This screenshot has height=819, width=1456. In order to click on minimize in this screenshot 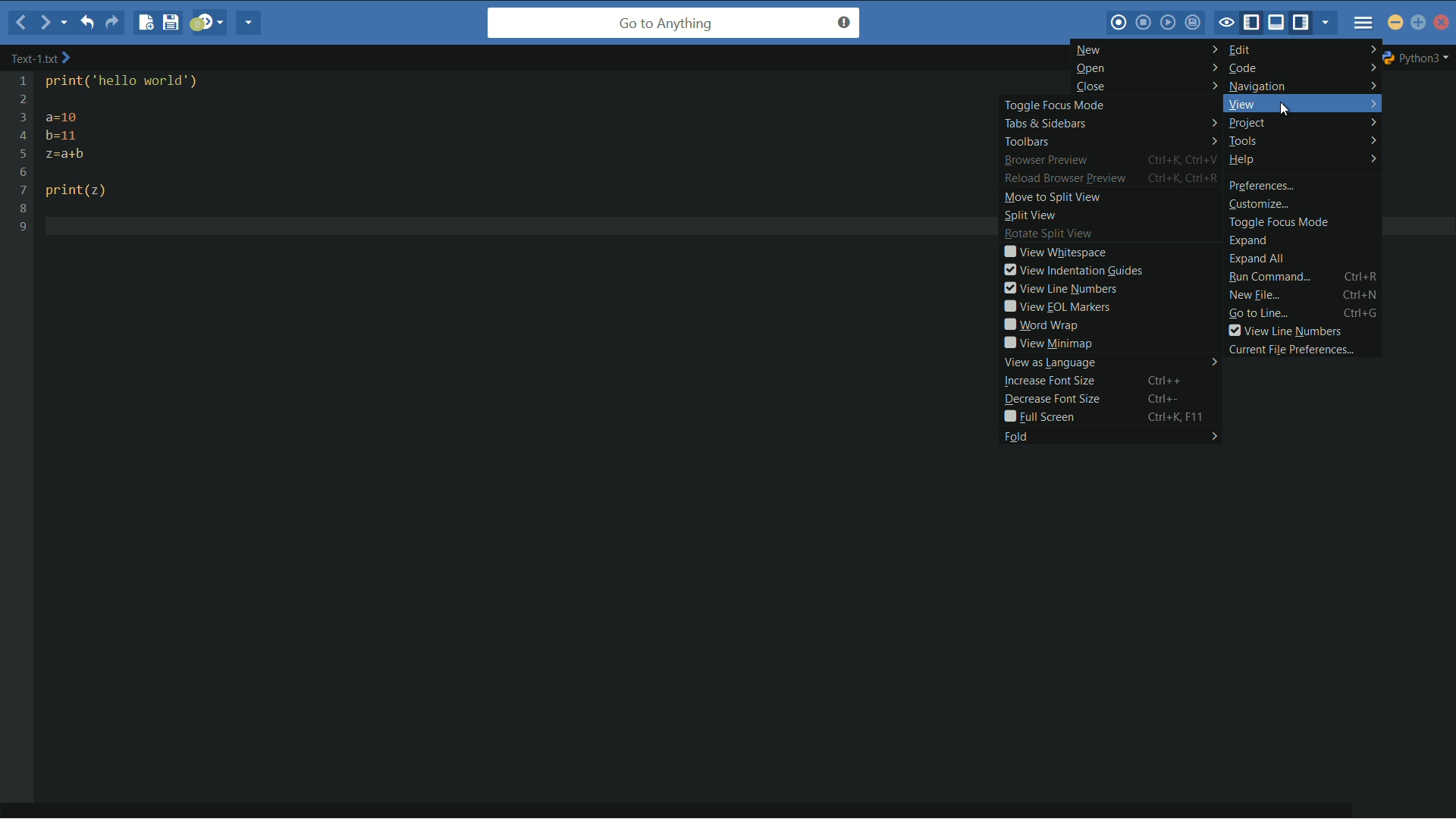, I will do `click(1396, 24)`.